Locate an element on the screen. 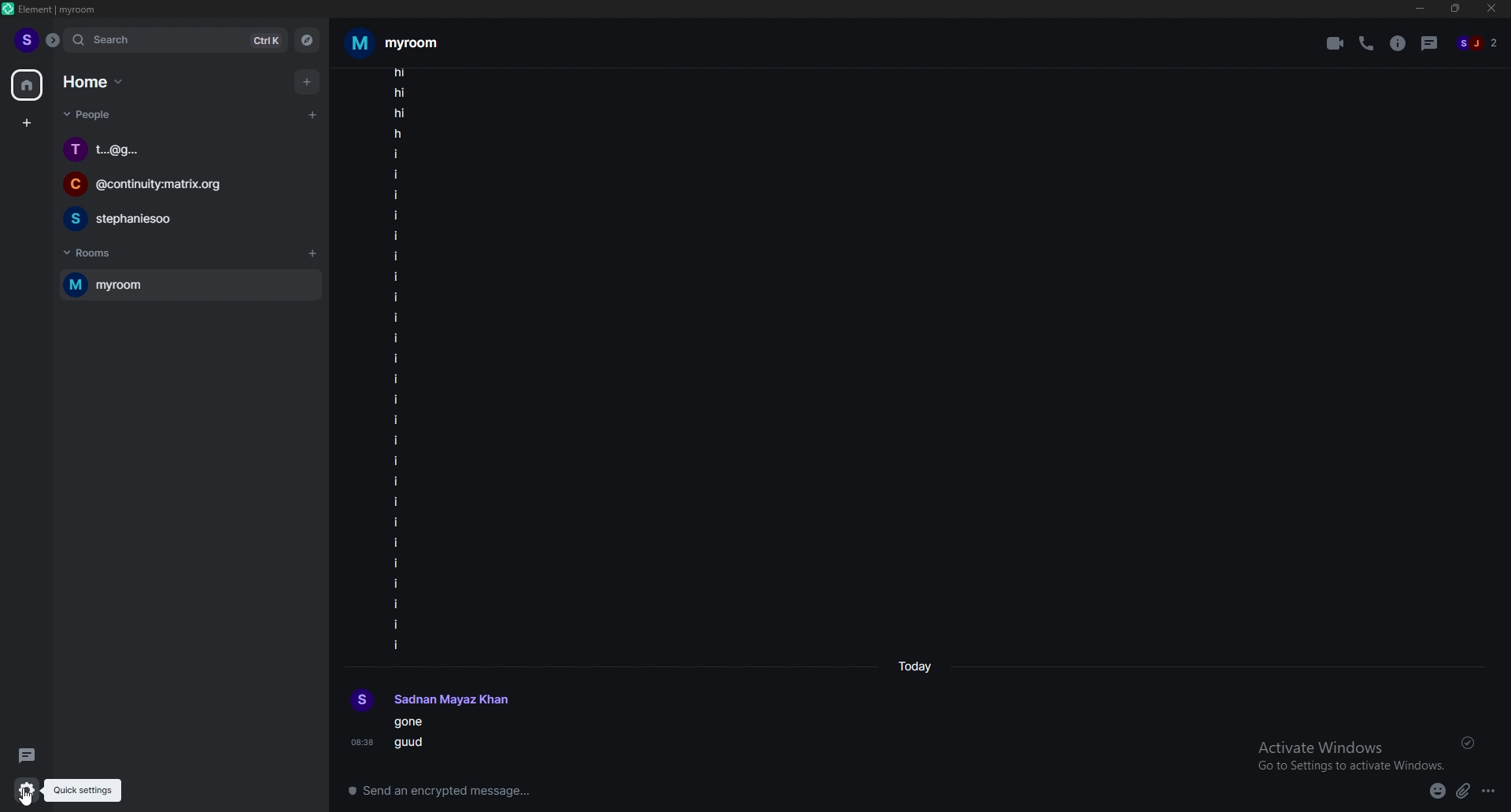  delivered is located at coordinates (1469, 744).